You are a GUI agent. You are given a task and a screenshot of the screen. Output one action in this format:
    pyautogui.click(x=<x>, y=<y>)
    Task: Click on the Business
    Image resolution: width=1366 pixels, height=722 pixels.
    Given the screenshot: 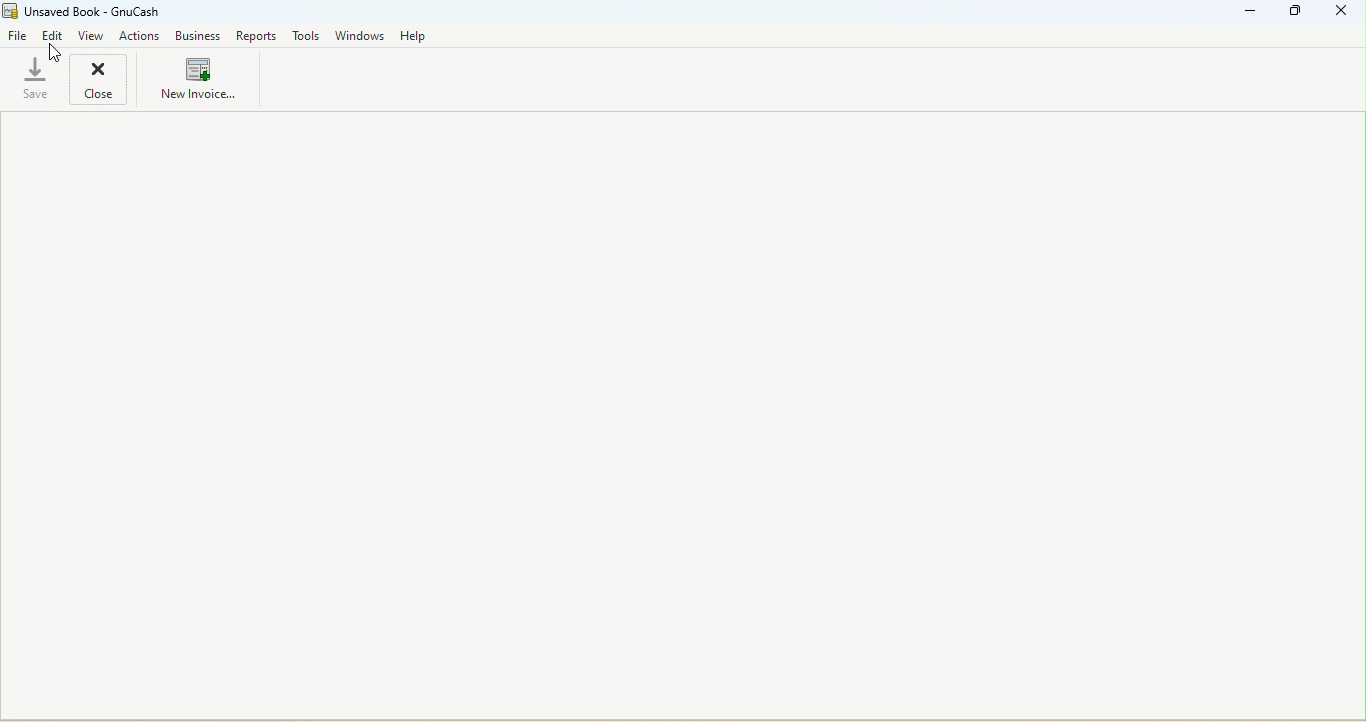 What is the action you would take?
    pyautogui.click(x=198, y=38)
    